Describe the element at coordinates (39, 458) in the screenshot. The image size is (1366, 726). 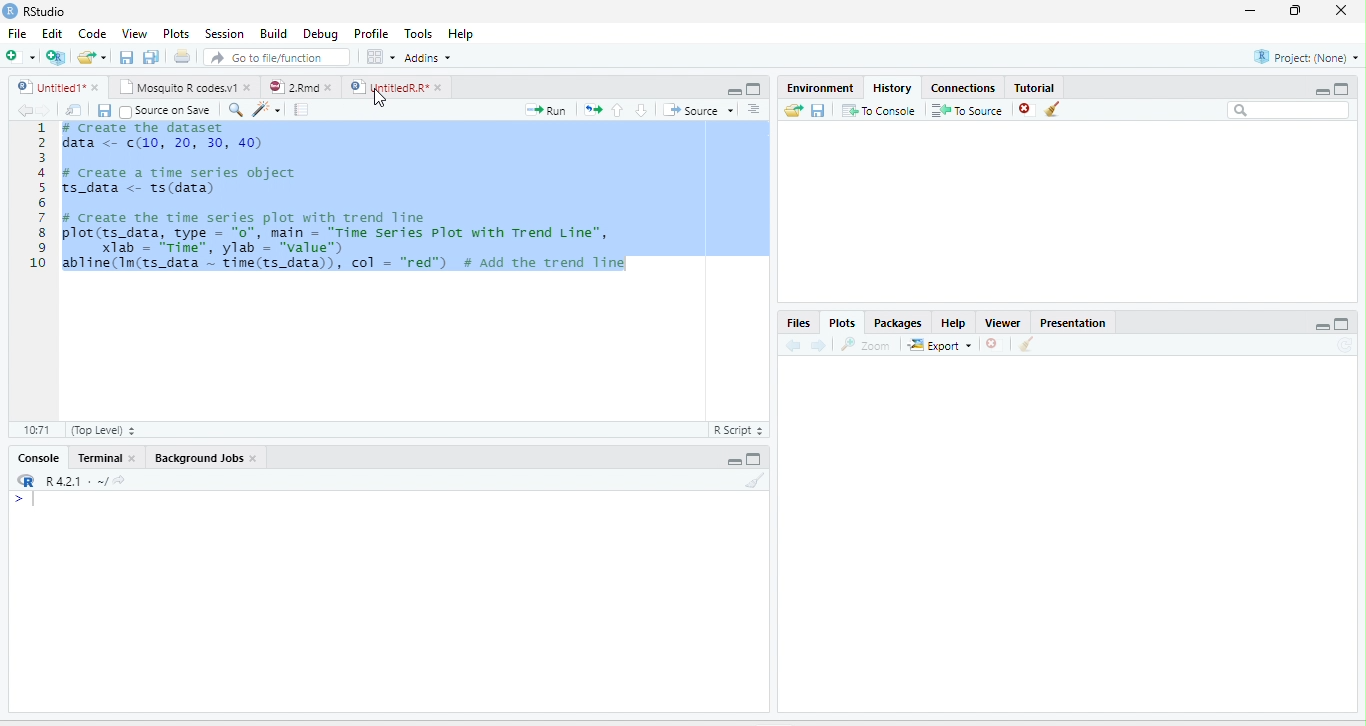
I see `Console` at that location.